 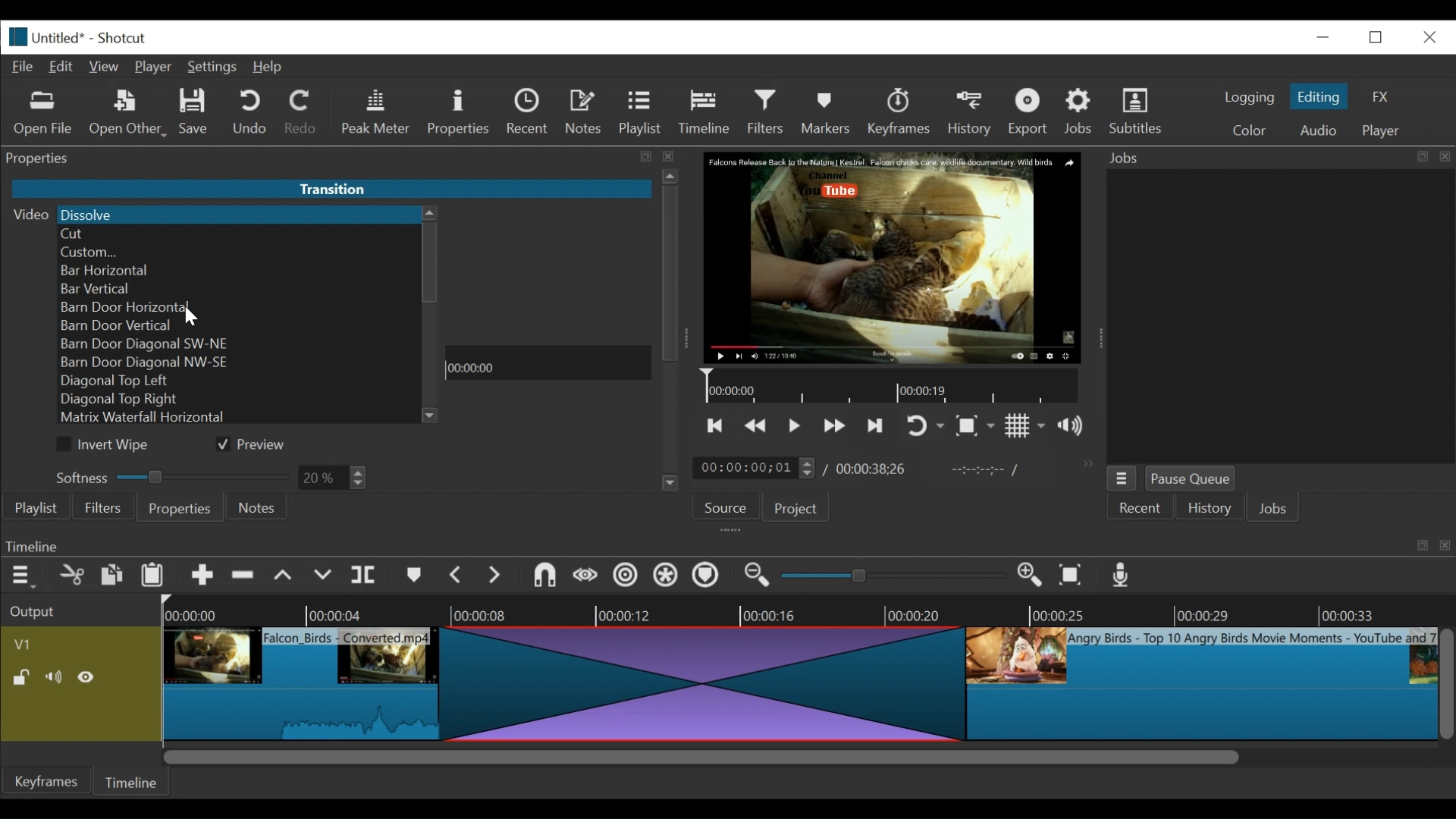 I want to click on Recent, so click(x=531, y=114).